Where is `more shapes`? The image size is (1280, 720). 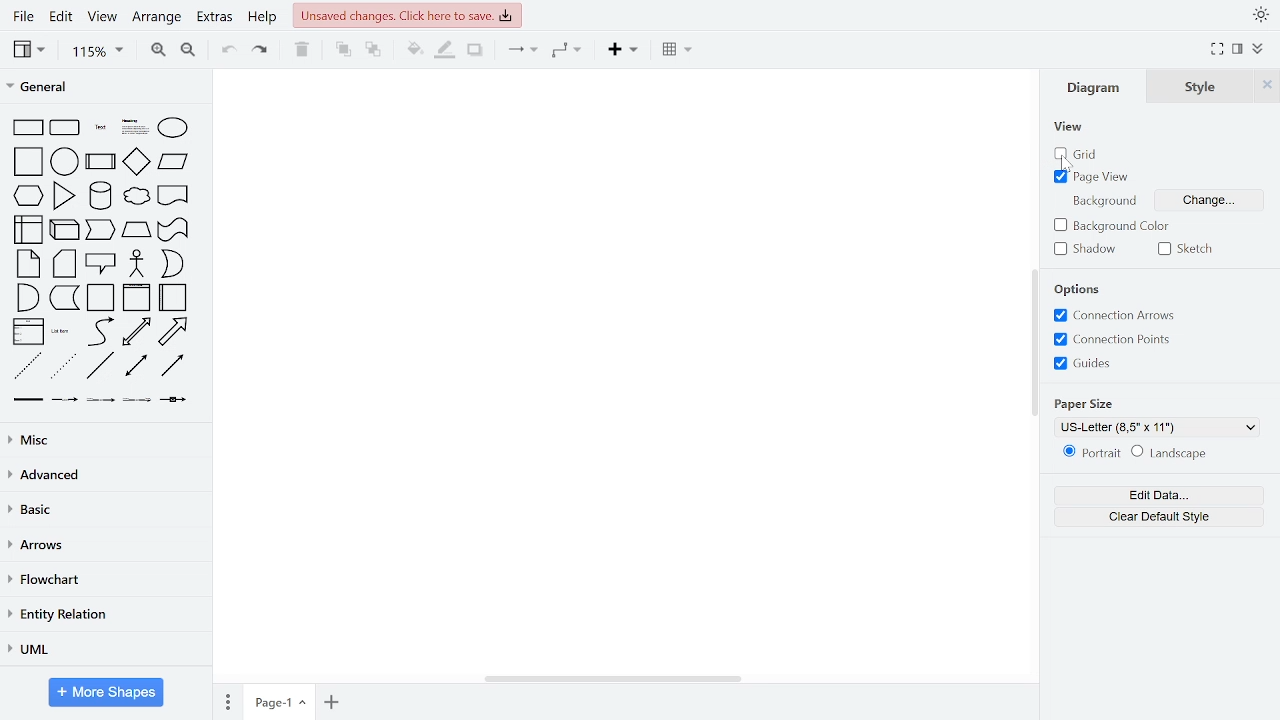 more shapes is located at coordinates (104, 694).